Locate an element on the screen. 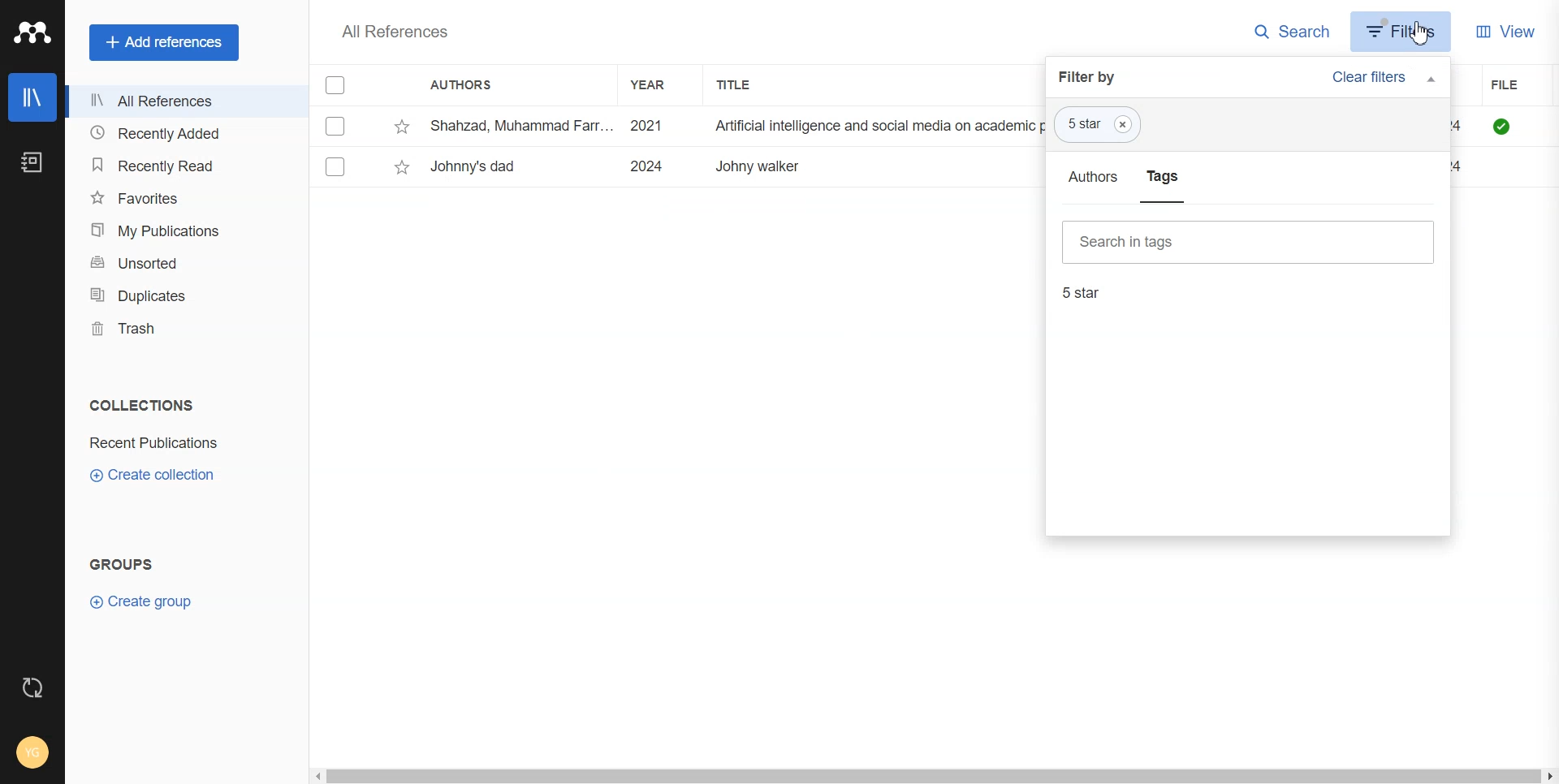 The width and height of the screenshot is (1559, 784). View is located at coordinates (1505, 30).